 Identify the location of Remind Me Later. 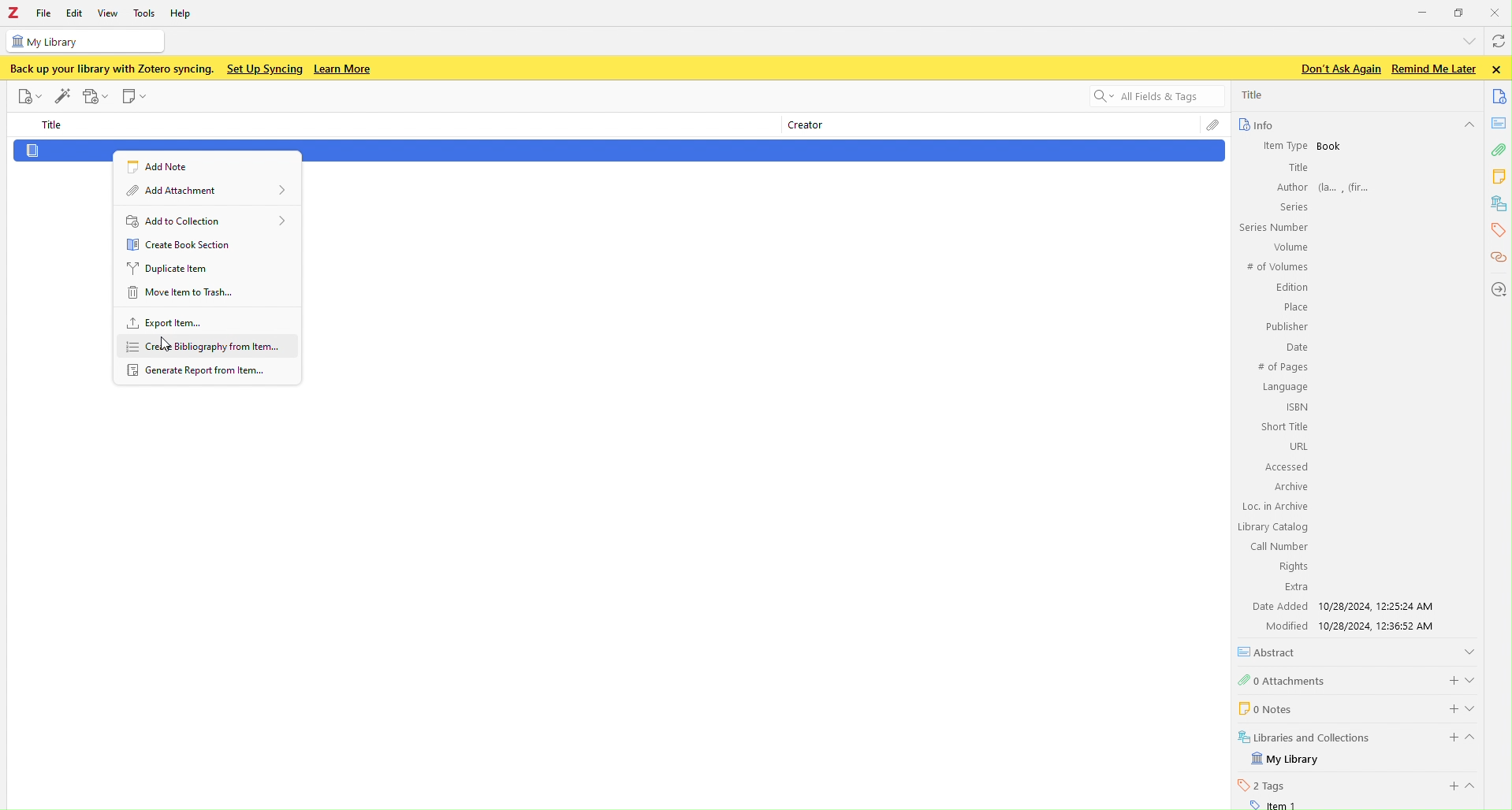
(1433, 69).